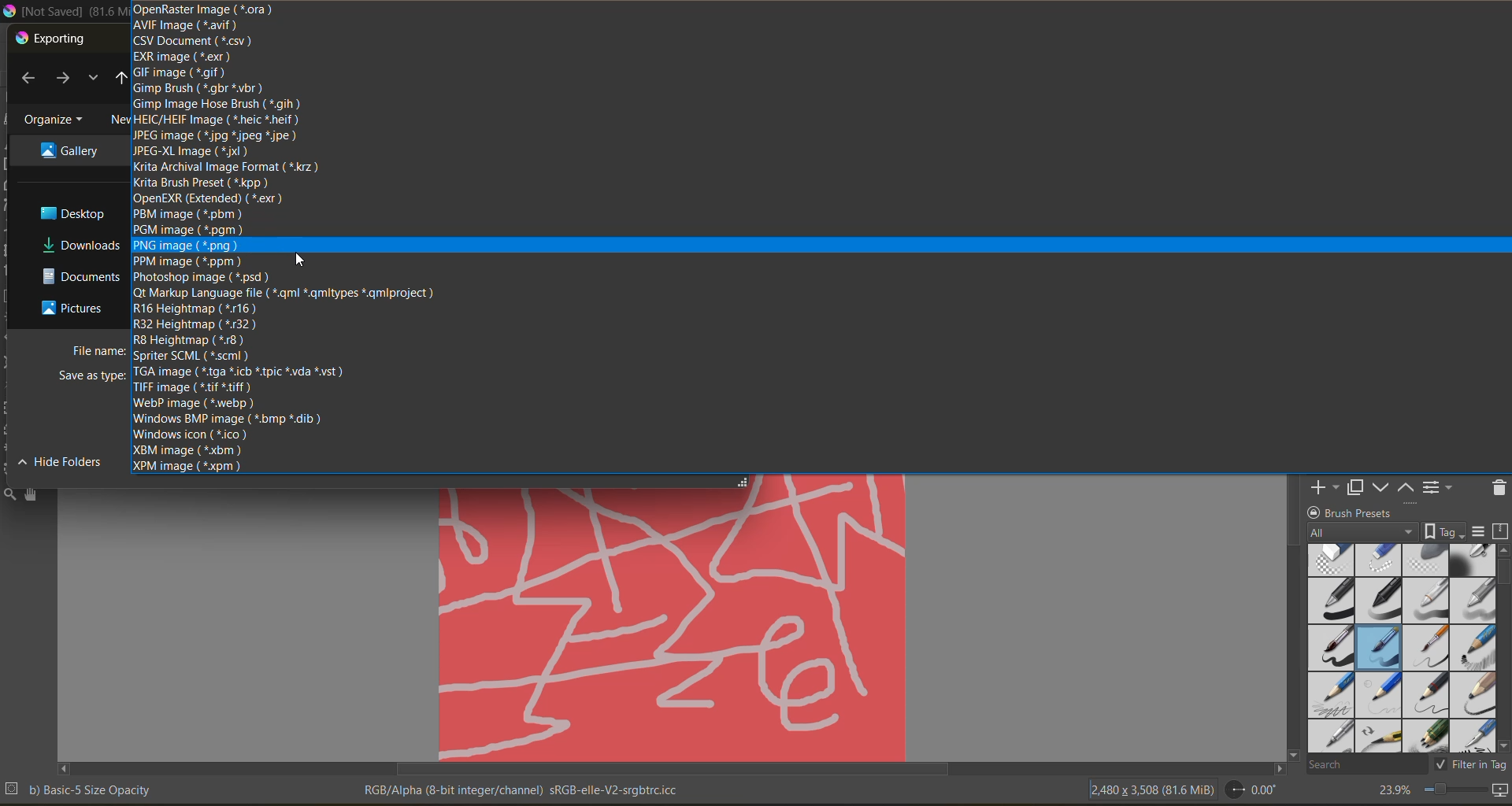  What do you see at coordinates (1503, 648) in the screenshot?
I see `vertical scroll bar` at bounding box center [1503, 648].